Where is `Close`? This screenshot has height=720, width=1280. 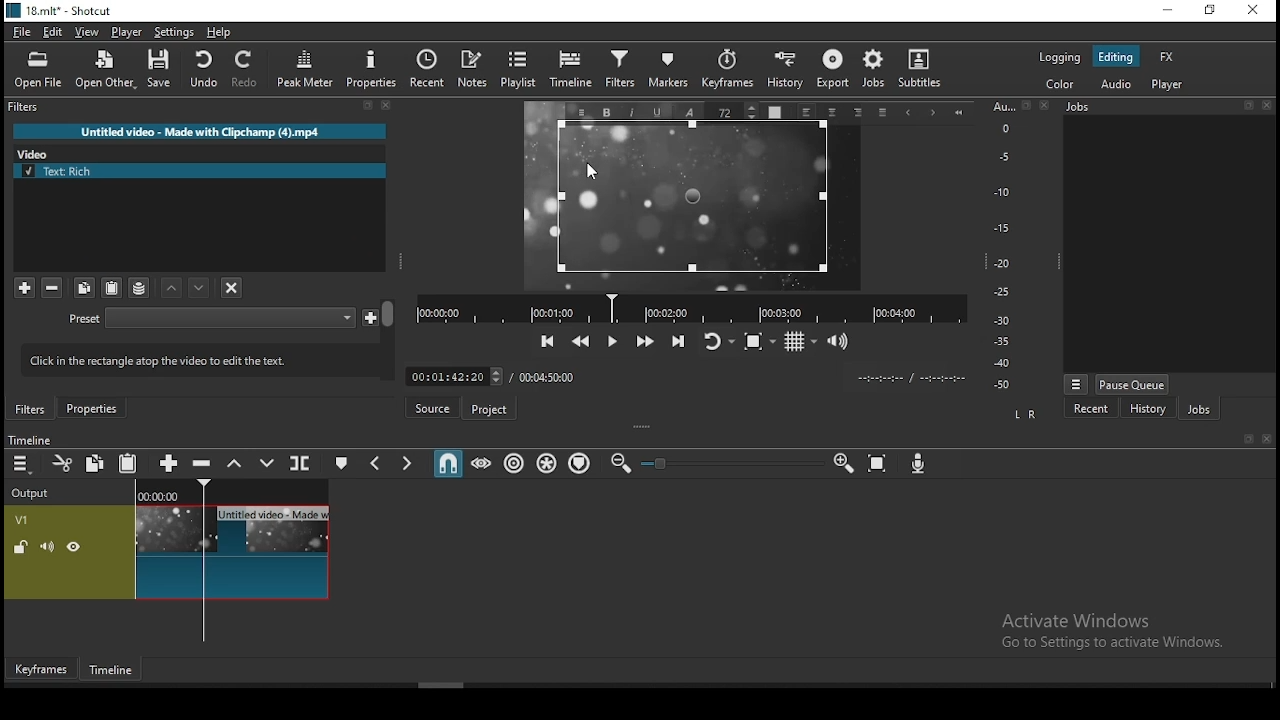
Close is located at coordinates (387, 105).